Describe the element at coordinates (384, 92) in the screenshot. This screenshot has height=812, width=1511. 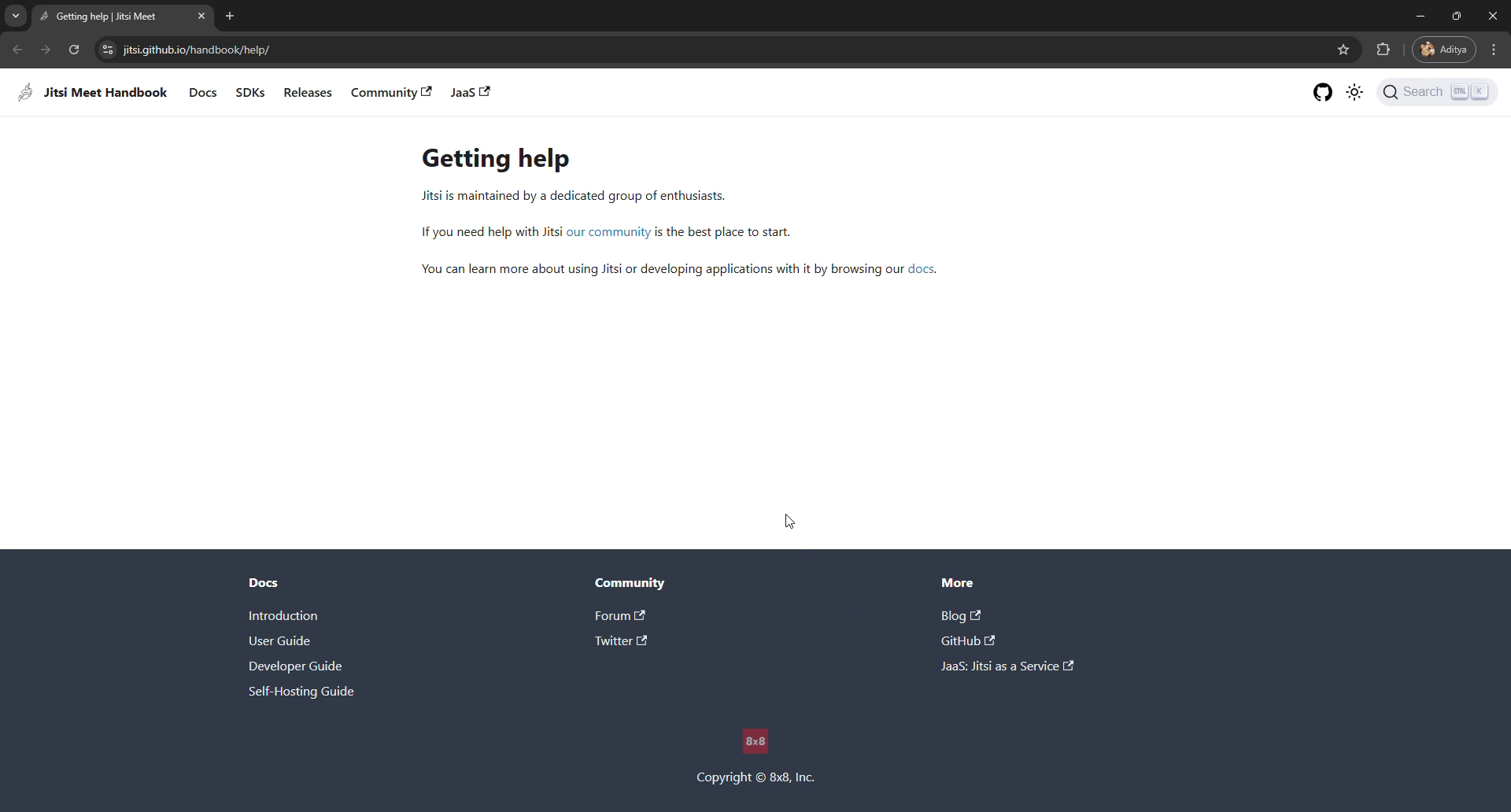
I see `community` at that location.